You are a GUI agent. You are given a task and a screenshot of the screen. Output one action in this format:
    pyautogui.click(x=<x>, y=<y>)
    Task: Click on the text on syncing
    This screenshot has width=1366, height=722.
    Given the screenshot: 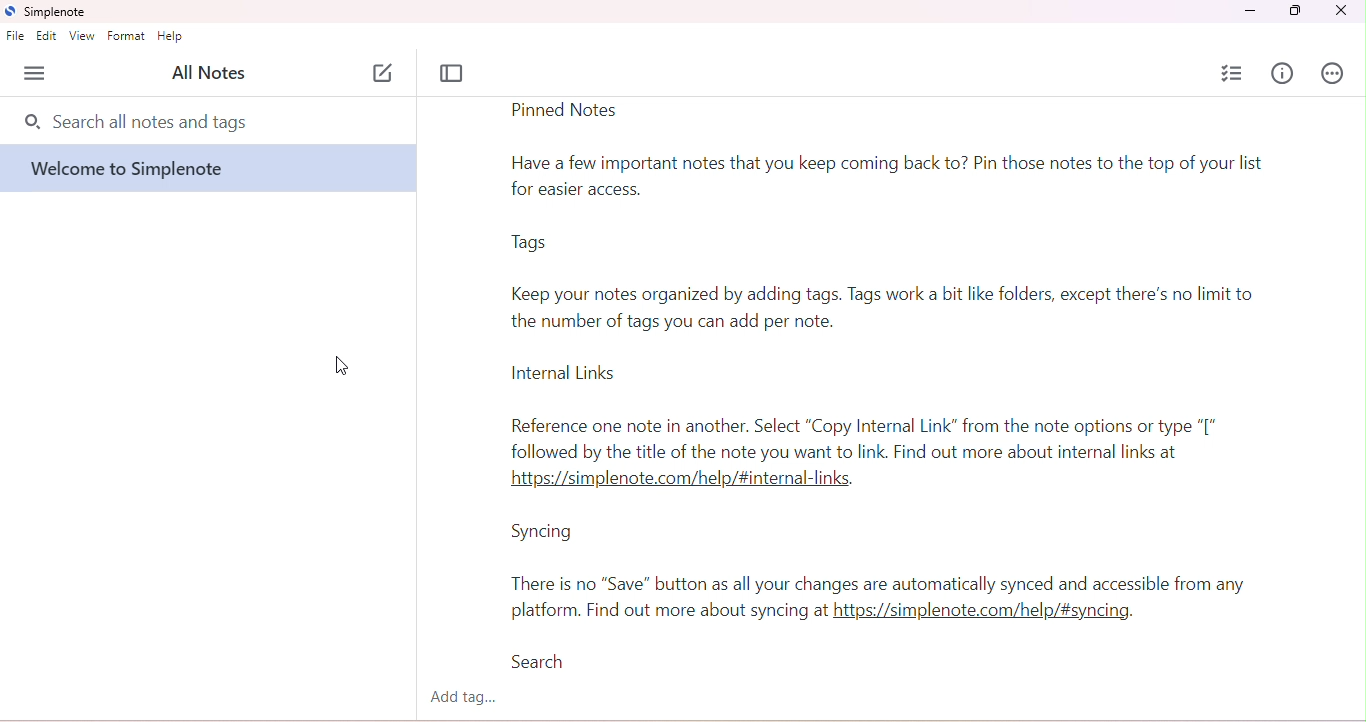 What is the action you would take?
    pyautogui.click(x=877, y=598)
    